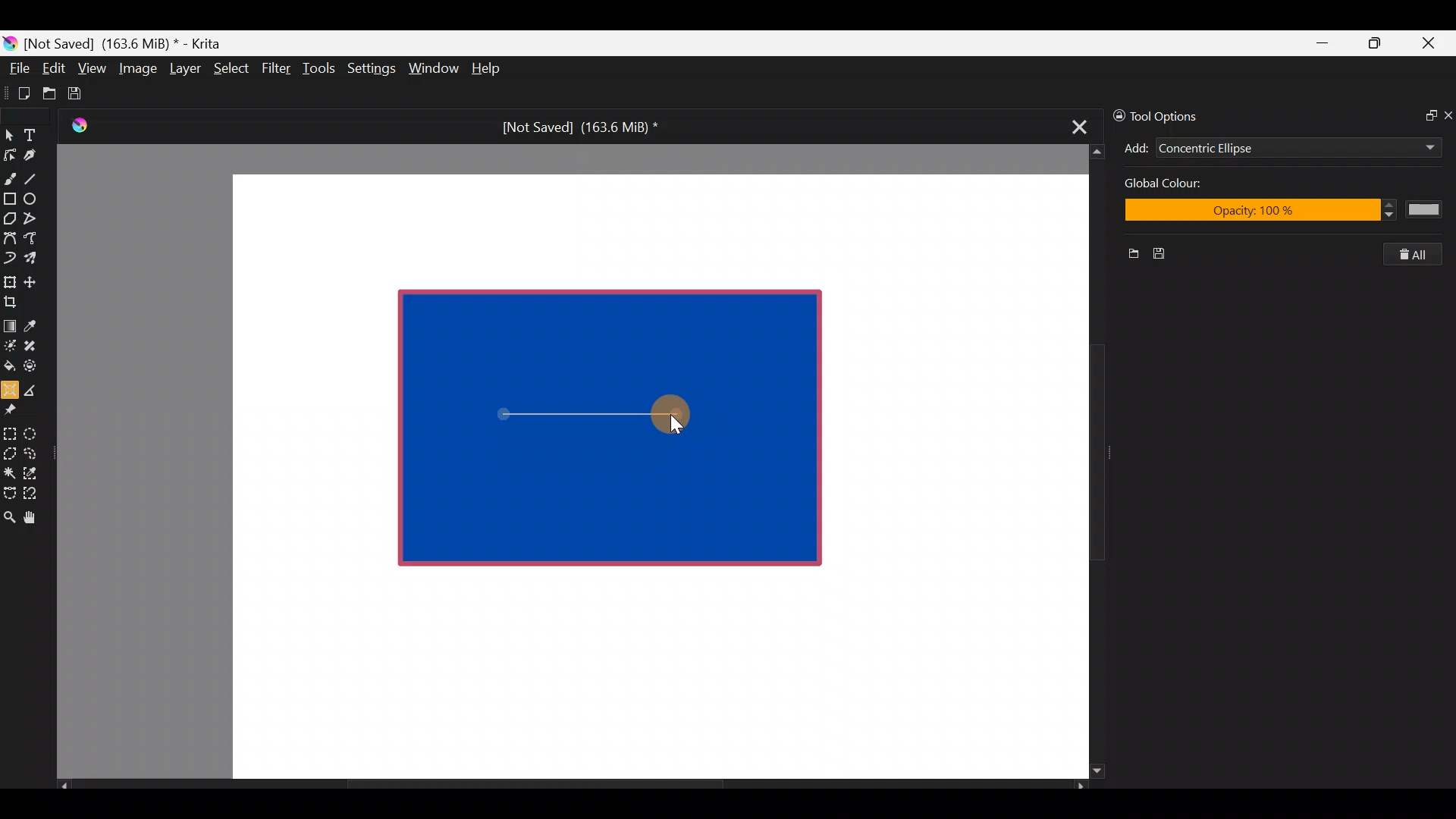  I want to click on Krita logo, so click(10, 42).